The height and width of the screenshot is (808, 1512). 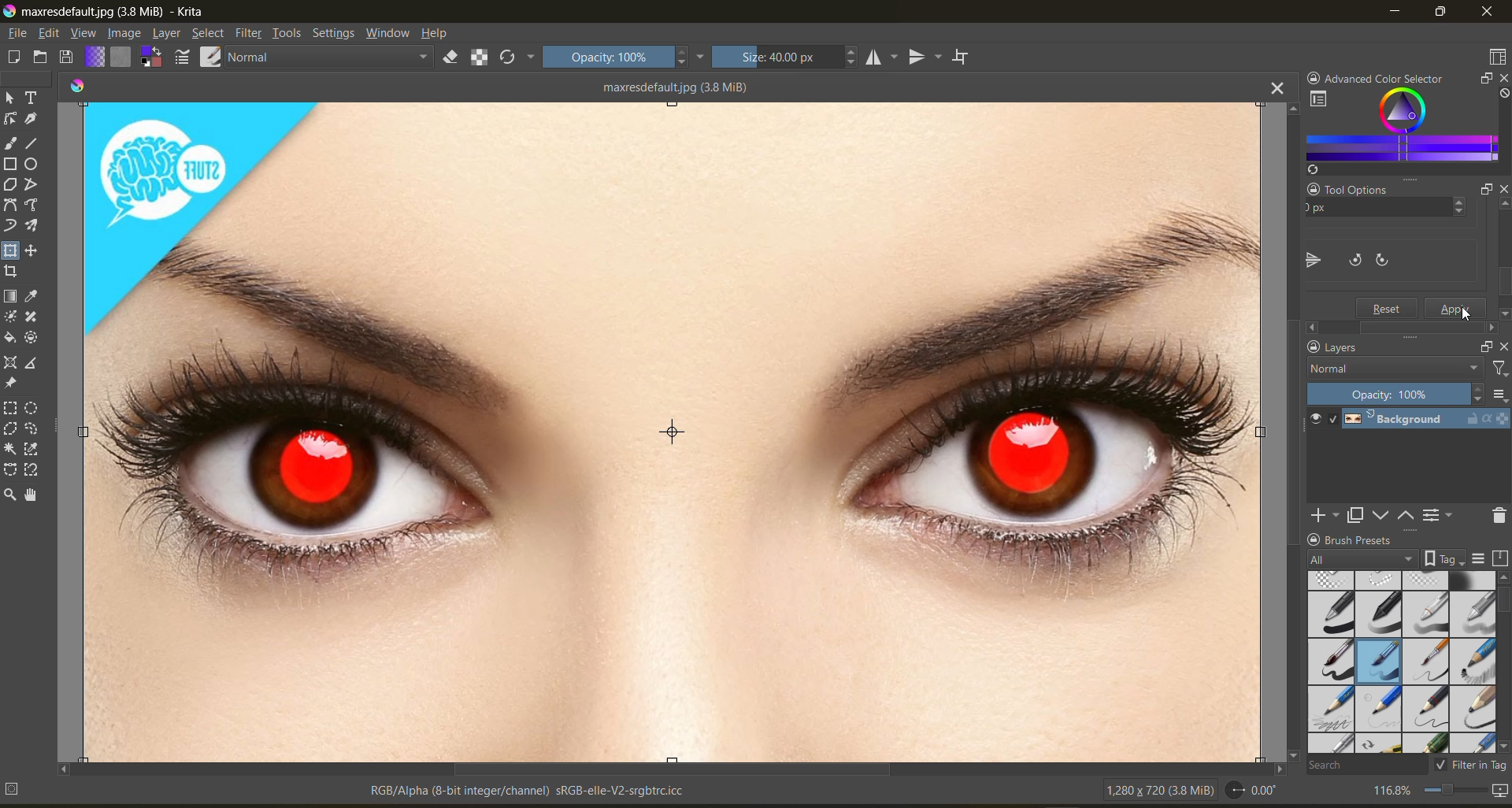 What do you see at coordinates (1399, 131) in the screenshot?
I see `advanced color selector` at bounding box center [1399, 131].